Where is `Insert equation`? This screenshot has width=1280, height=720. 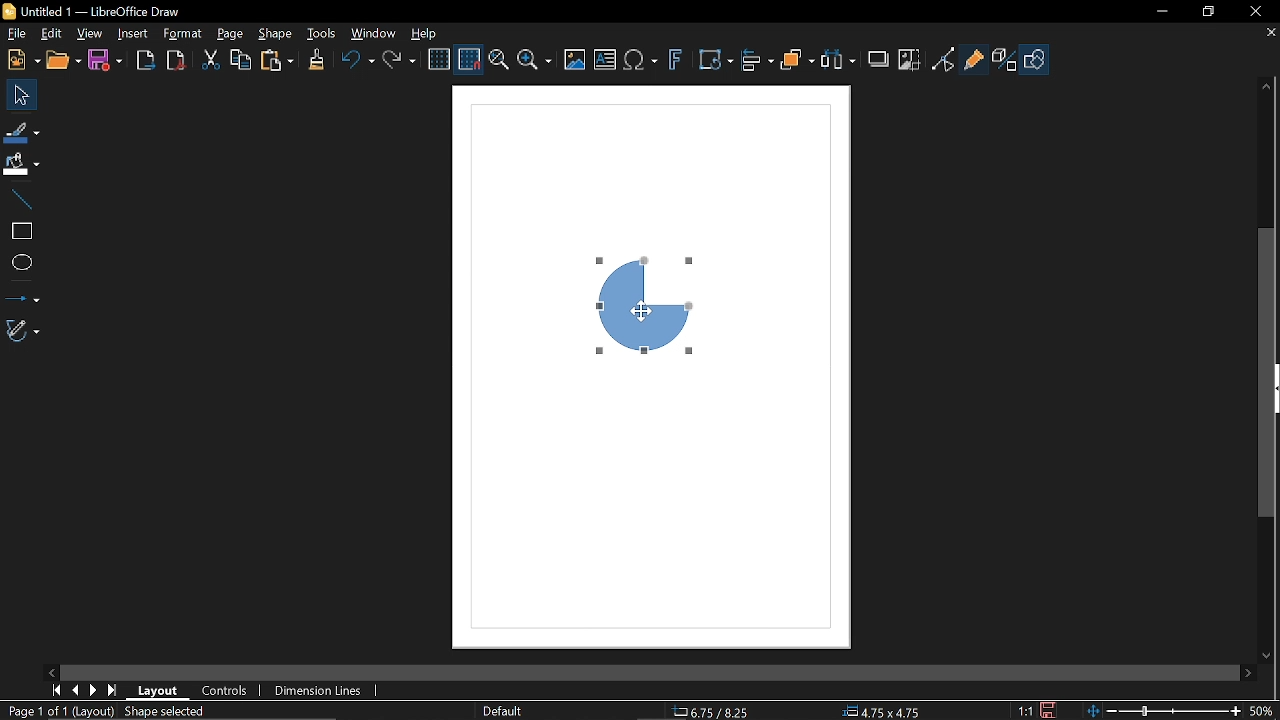
Insert equation is located at coordinates (641, 61).